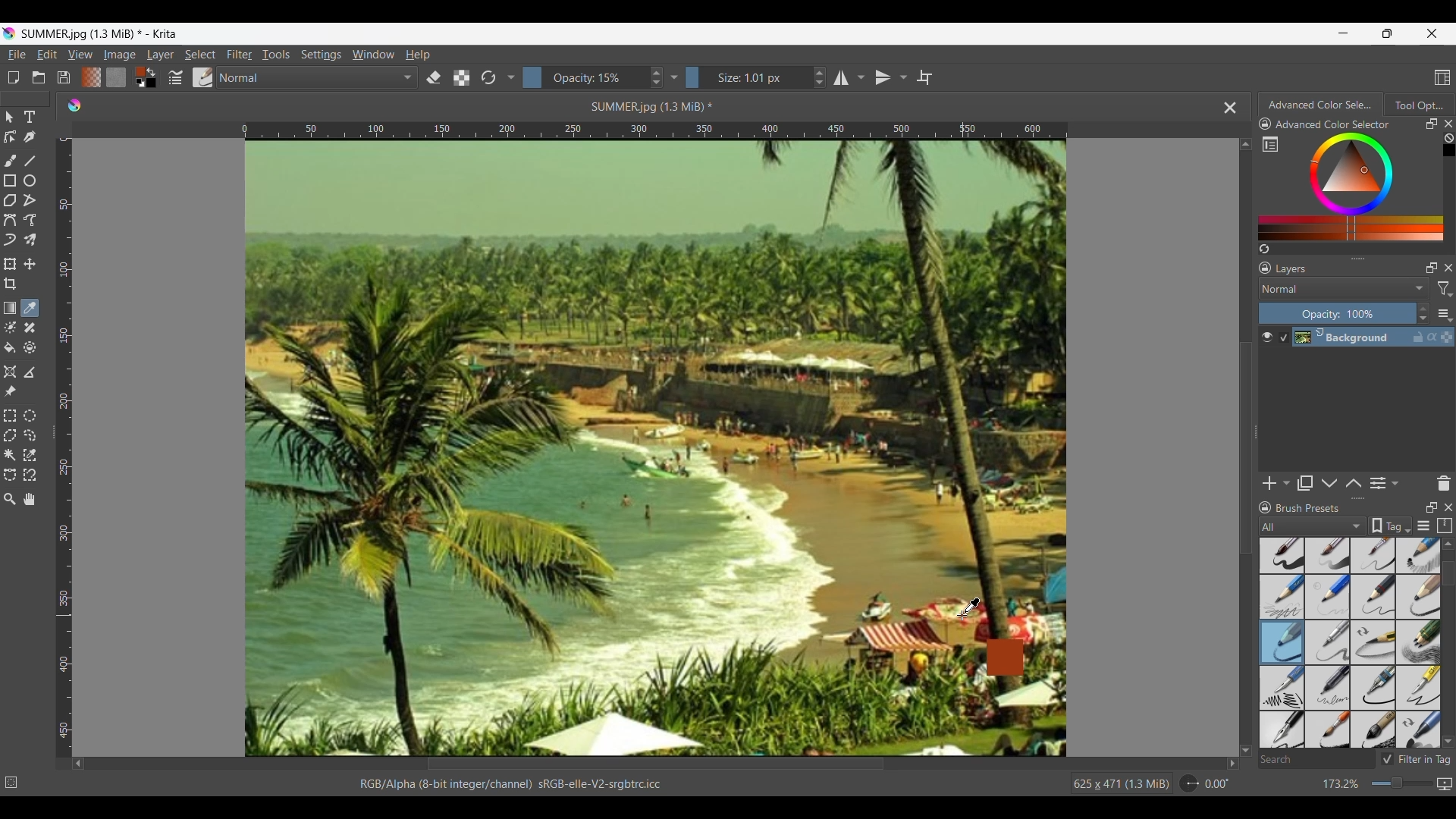 This screenshot has height=819, width=1456. Describe the element at coordinates (30, 328) in the screenshot. I see `Smart patch tool` at that location.